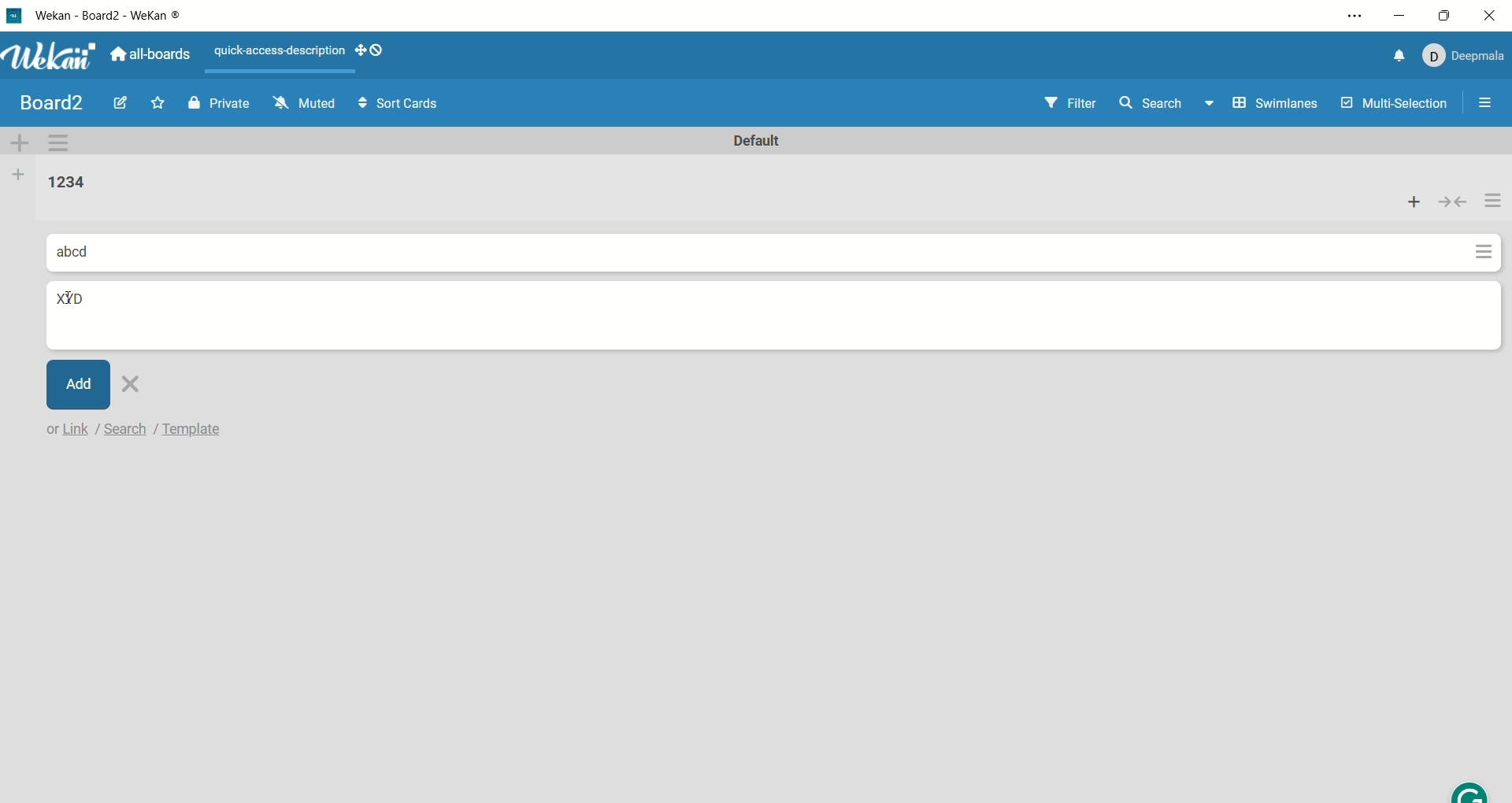 The width and height of the screenshot is (1512, 803). What do you see at coordinates (1397, 18) in the screenshot?
I see `minimize` at bounding box center [1397, 18].